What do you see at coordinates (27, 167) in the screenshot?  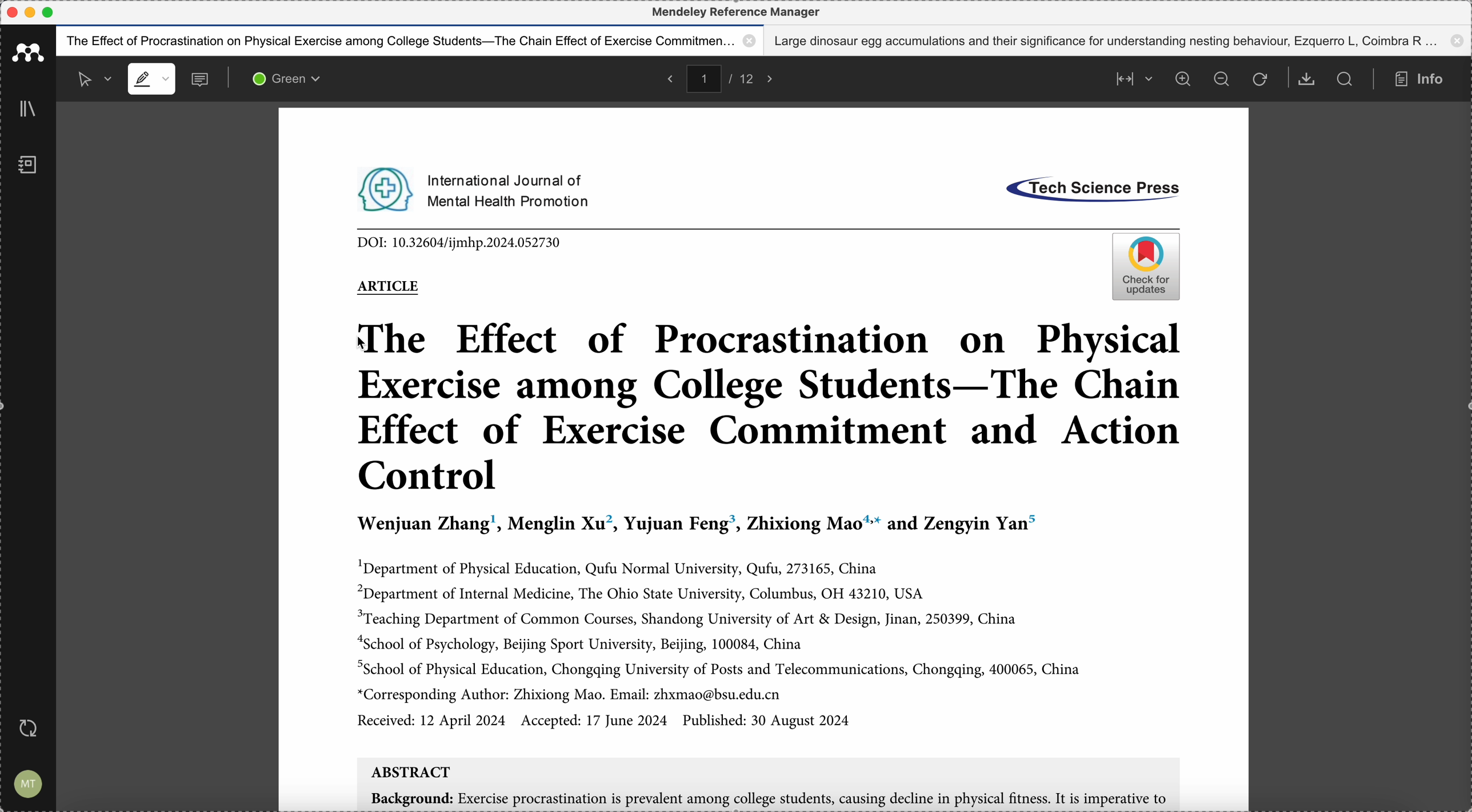 I see `notebook` at bounding box center [27, 167].